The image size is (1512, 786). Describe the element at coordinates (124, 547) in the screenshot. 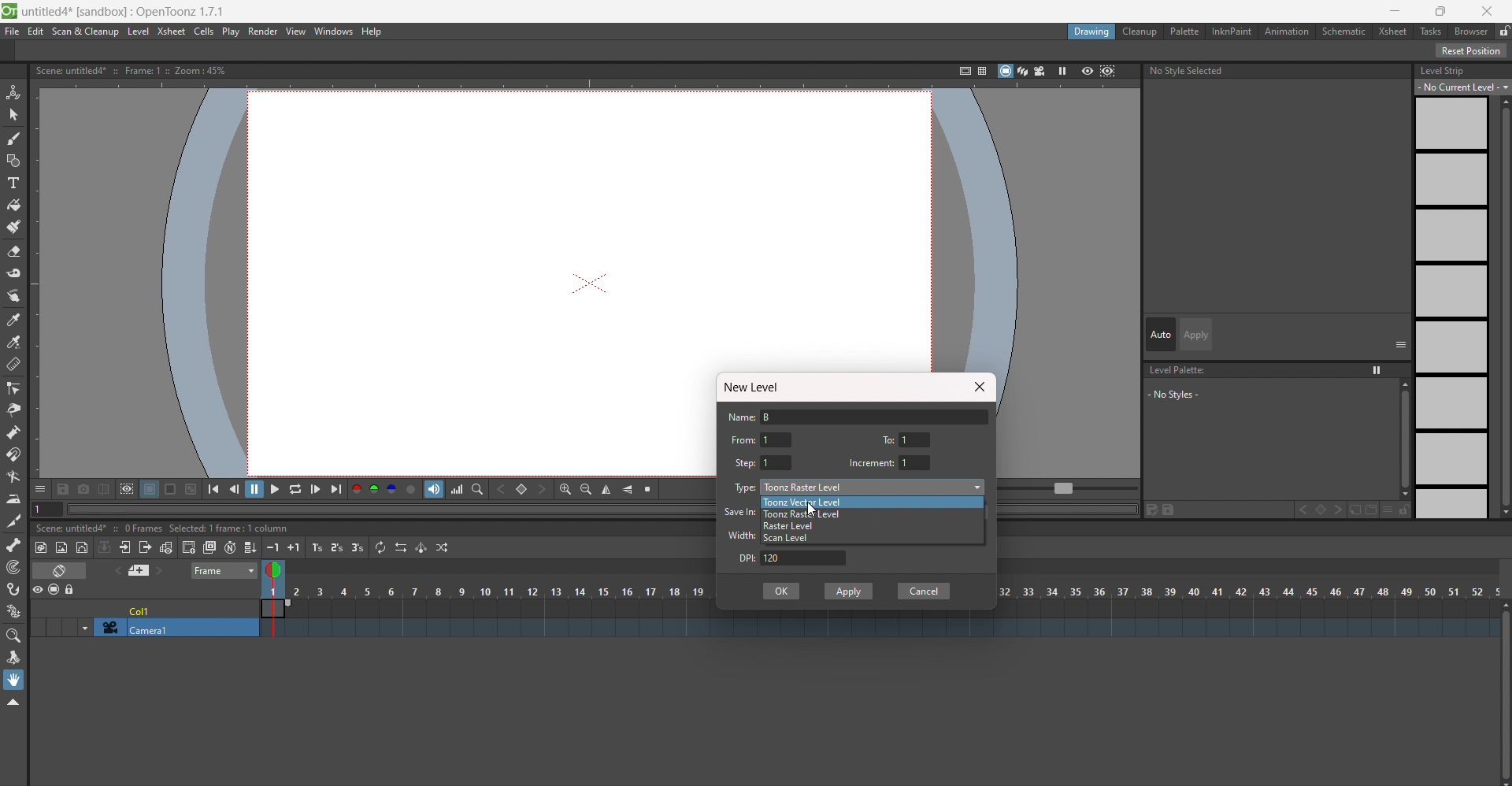

I see `open sub xsheet` at that location.